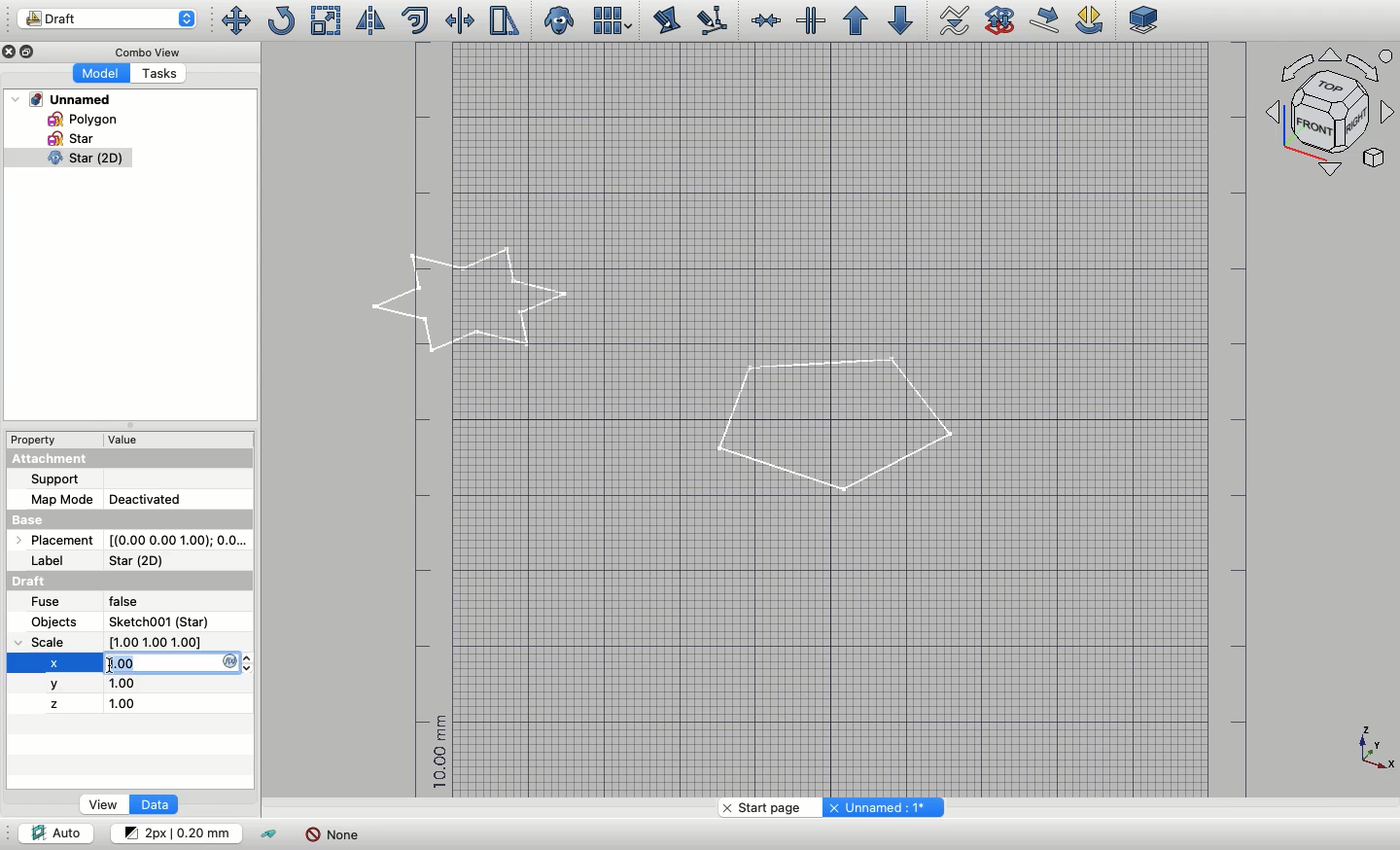 The height and width of the screenshot is (850, 1400). Describe the element at coordinates (710, 21) in the screenshot. I see `Subelement highlight` at that location.